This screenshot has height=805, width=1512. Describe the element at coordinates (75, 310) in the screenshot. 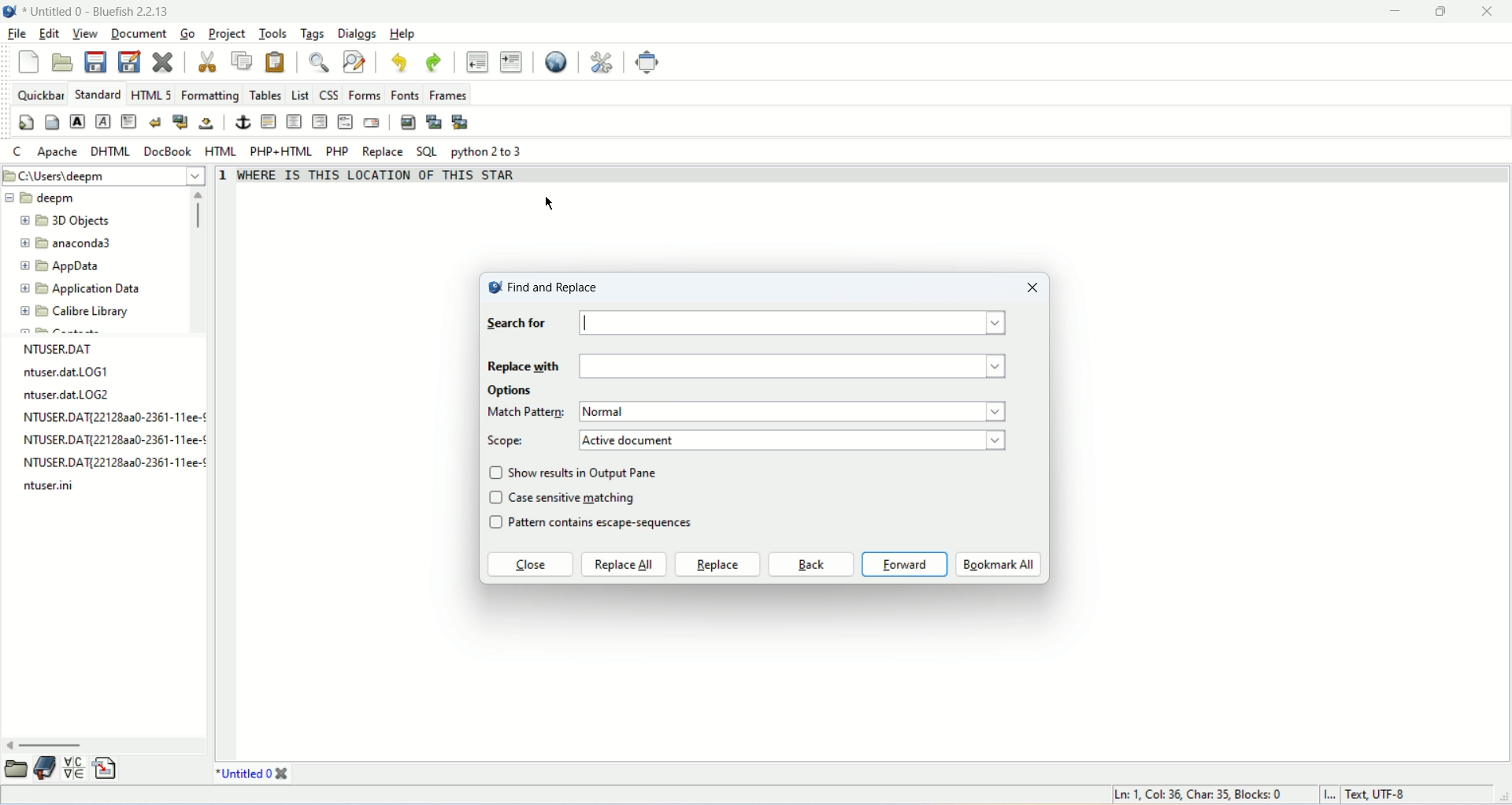

I see `Calibre Library` at that location.